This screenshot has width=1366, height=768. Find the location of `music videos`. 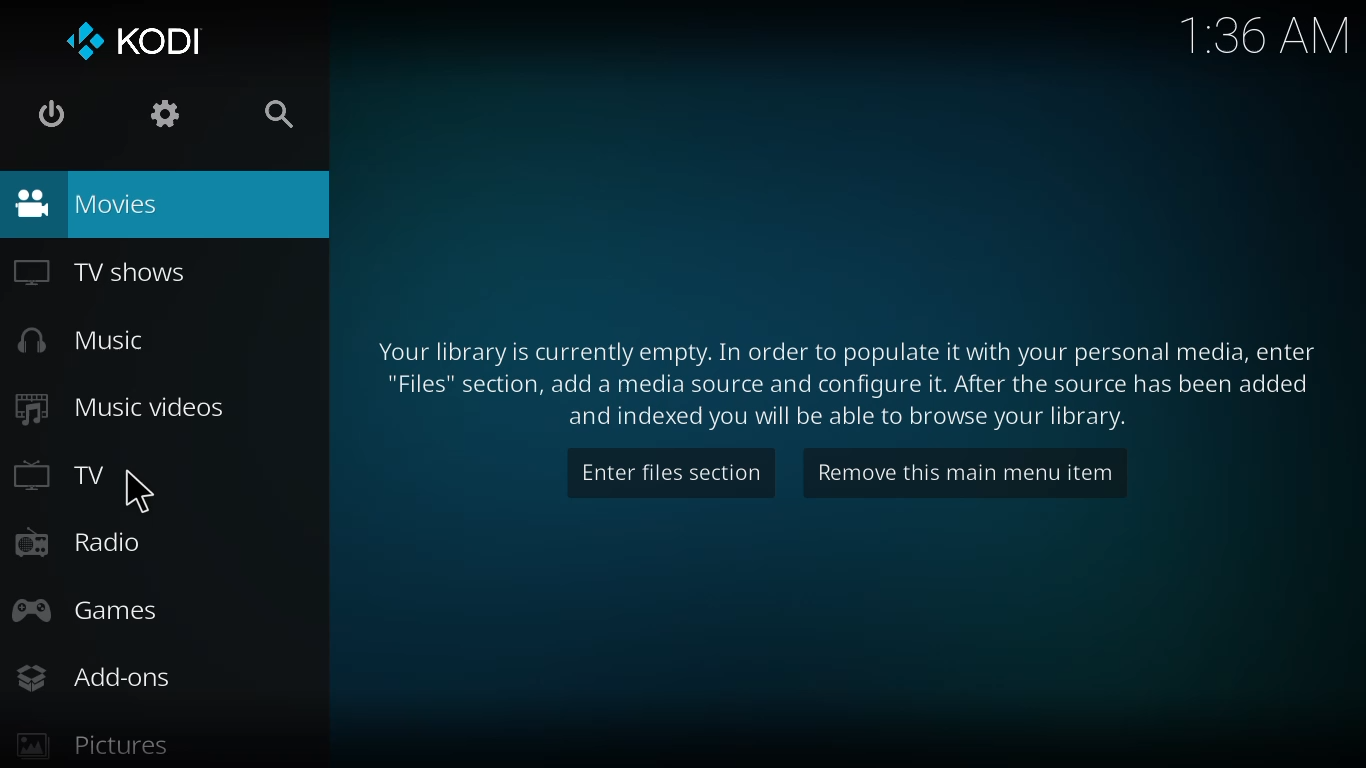

music videos is located at coordinates (120, 407).